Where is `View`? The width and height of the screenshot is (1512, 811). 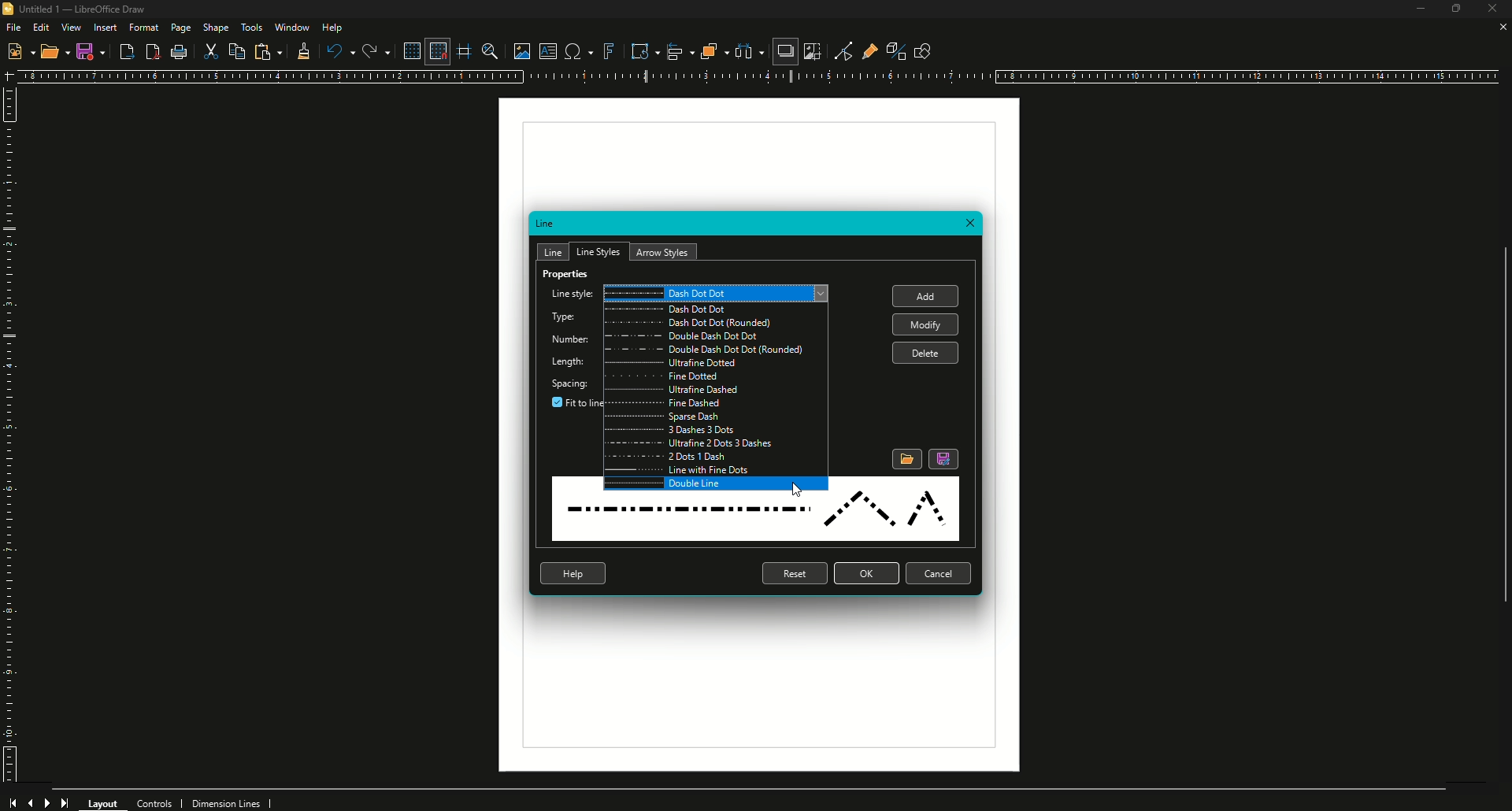
View is located at coordinates (71, 28).